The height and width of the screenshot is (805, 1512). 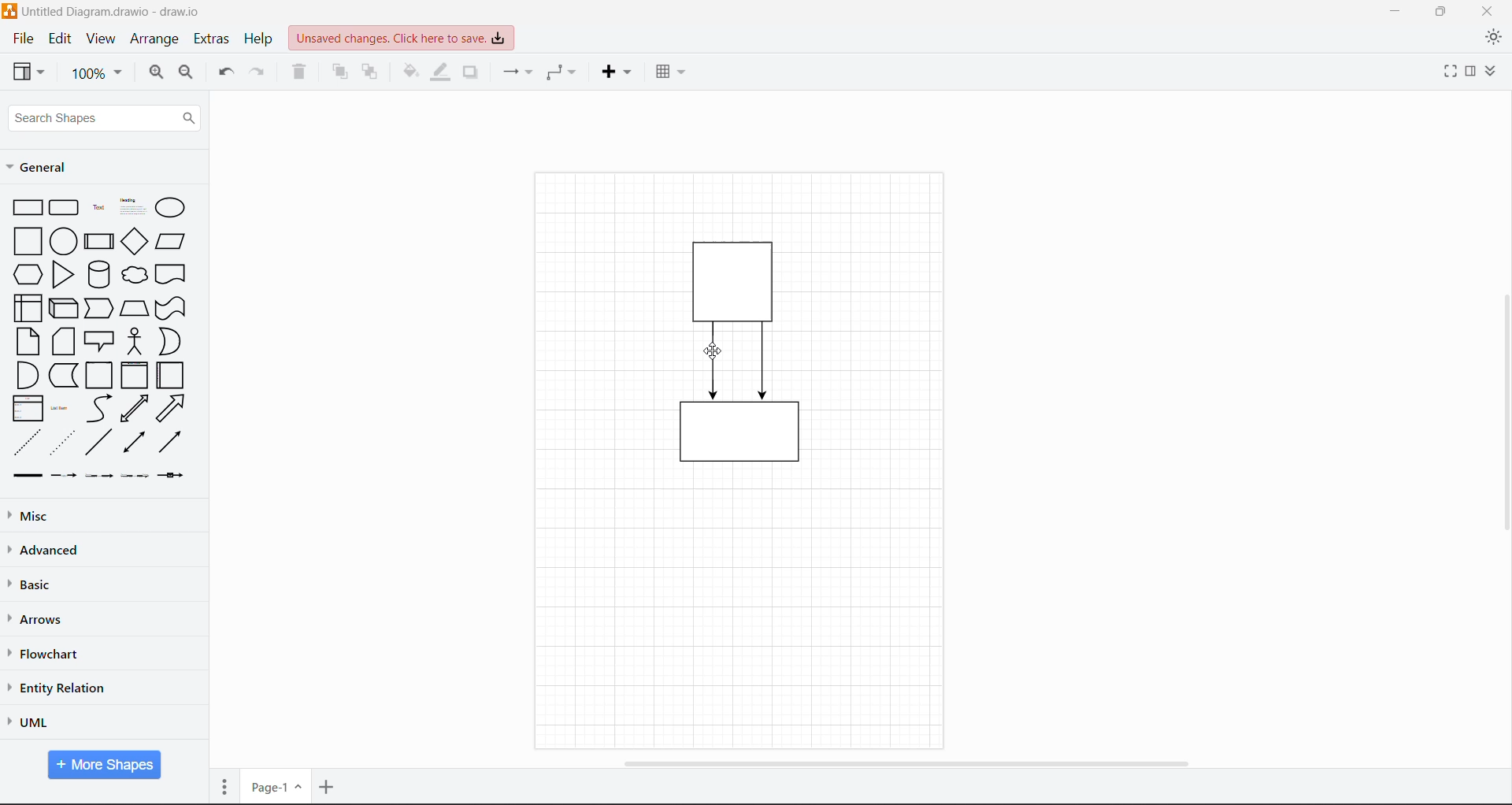 What do you see at coordinates (171, 241) in the screenshot?
I see `Parallelogram` at bounding box center [171, 241].